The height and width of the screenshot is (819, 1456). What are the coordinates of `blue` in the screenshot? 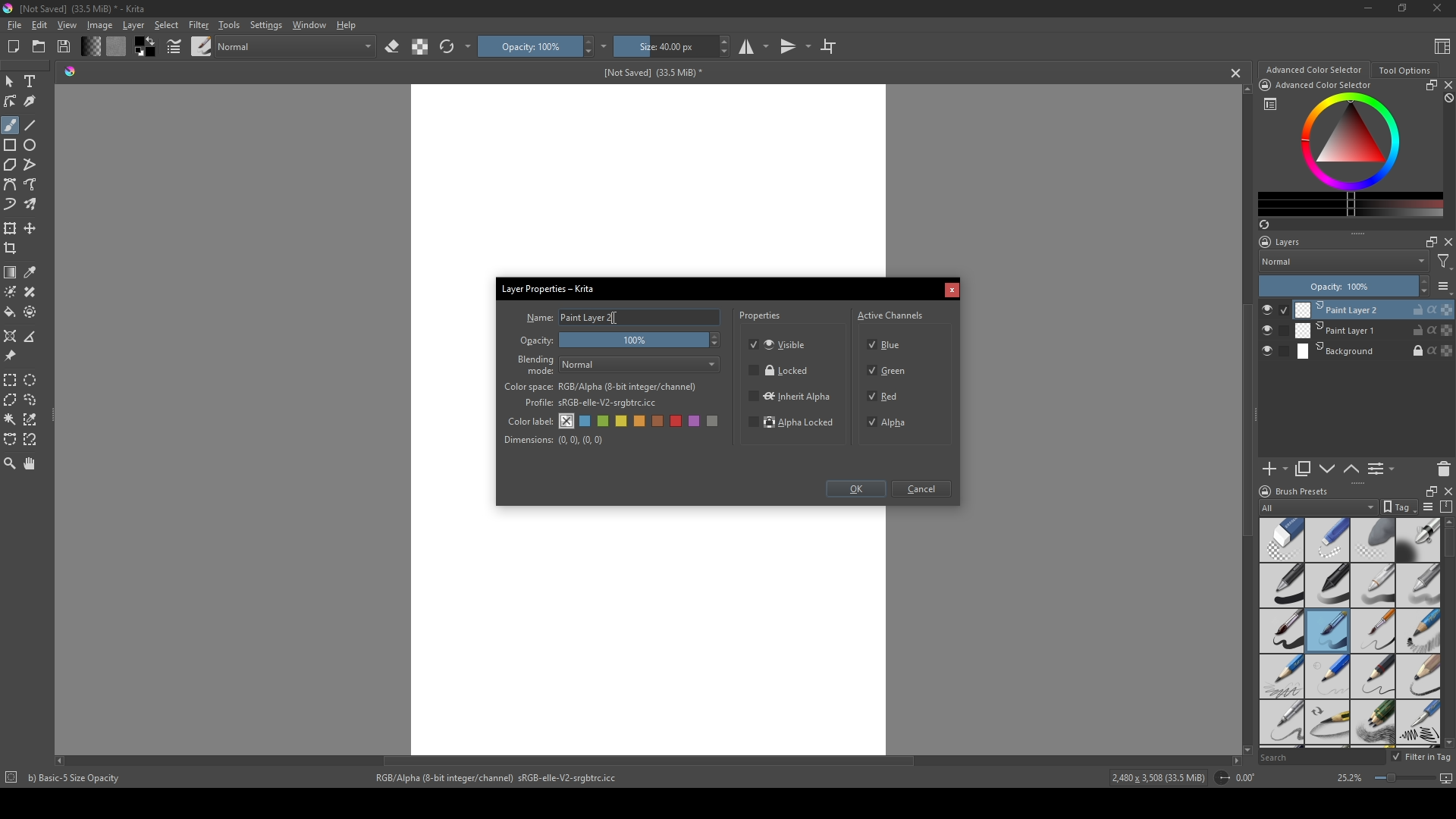 It's located at (586, 422).